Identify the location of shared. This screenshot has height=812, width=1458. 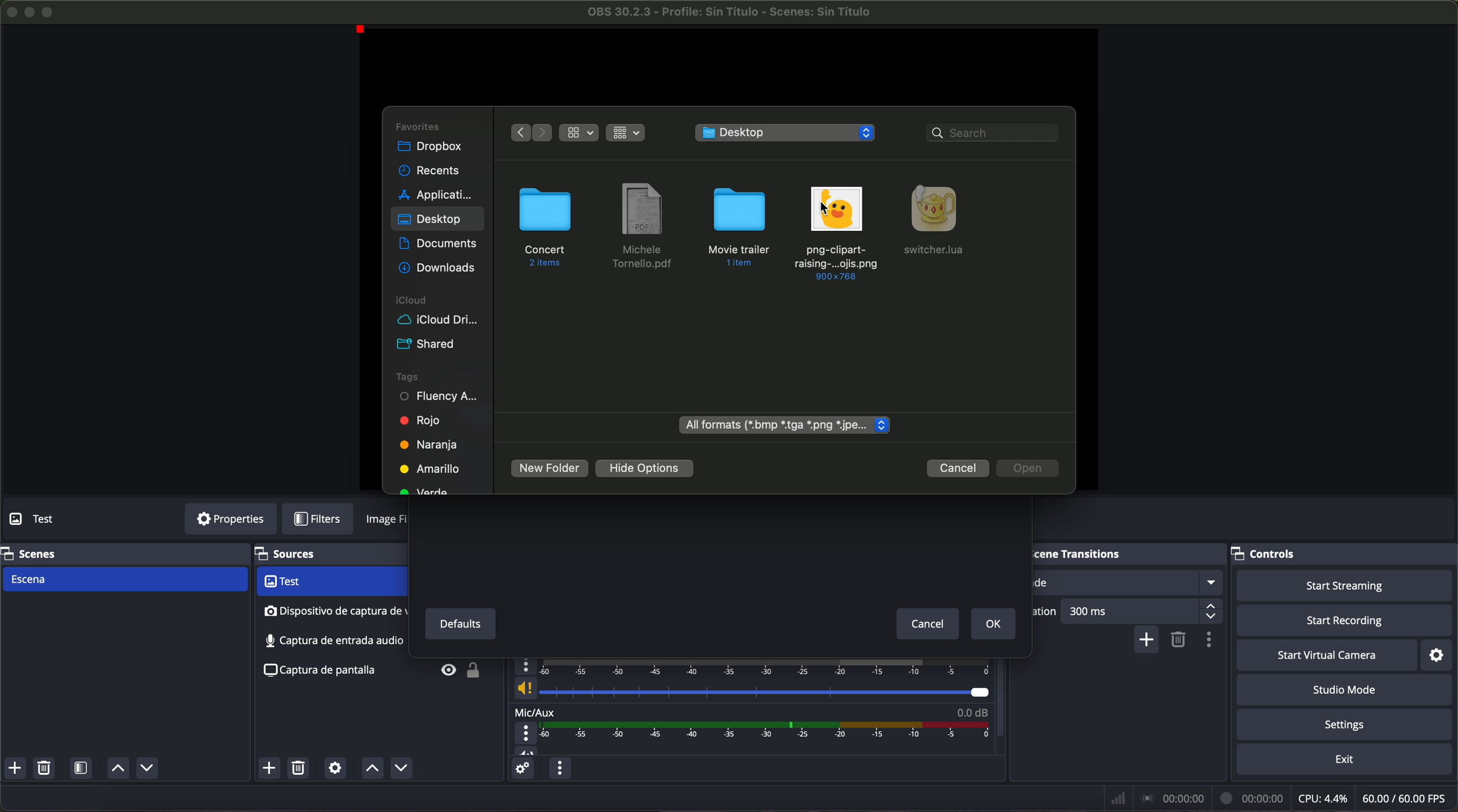
(424, 344).